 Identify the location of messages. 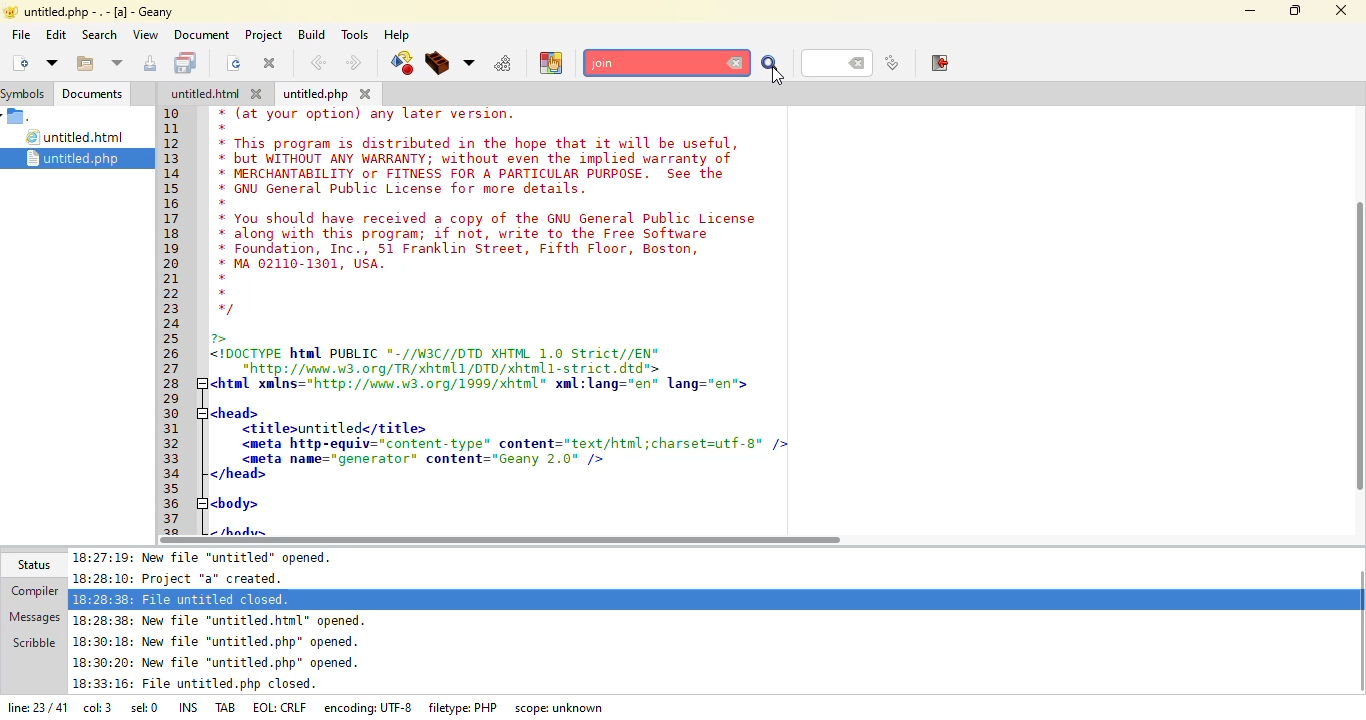
(33, 615).